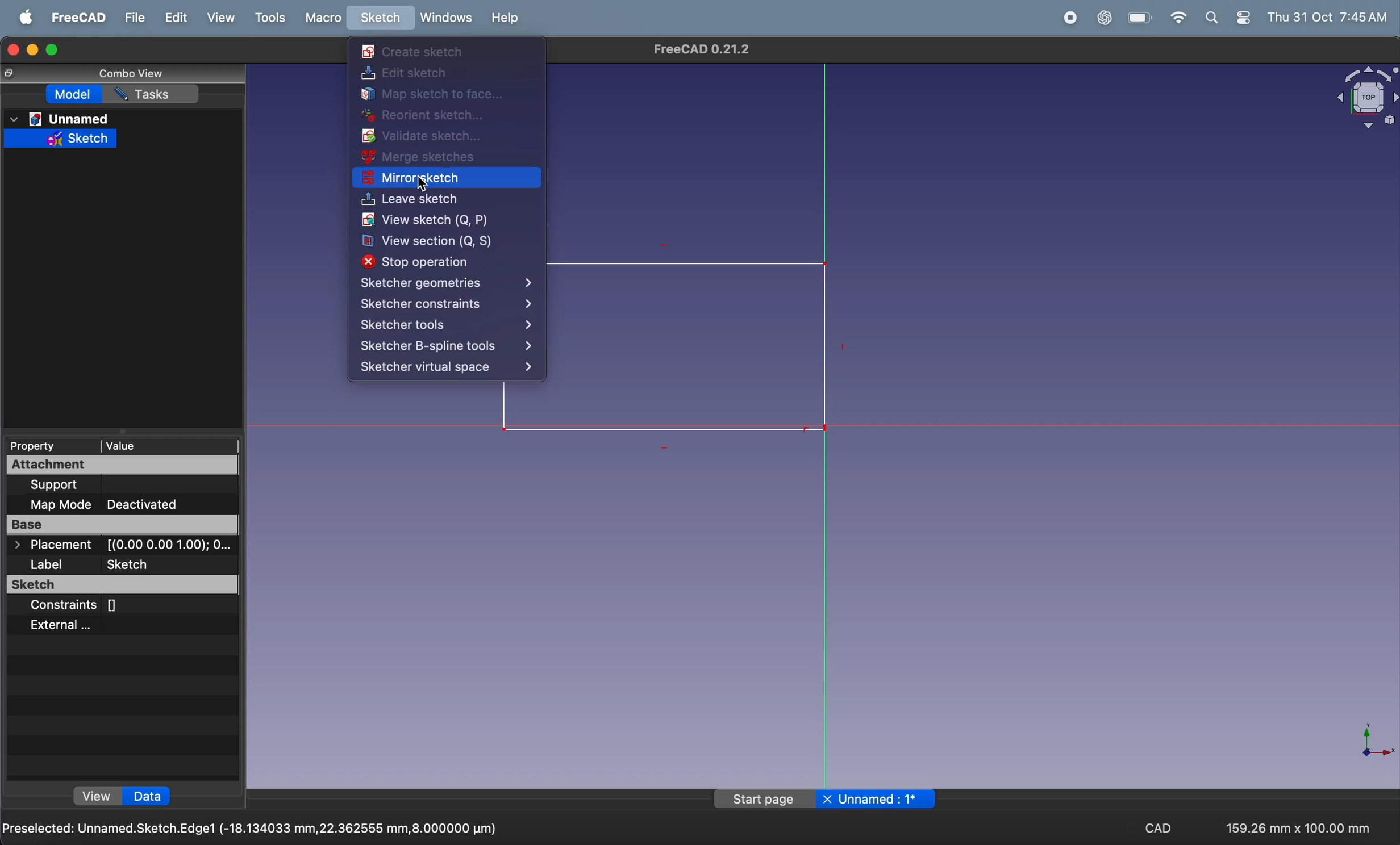 The width and height of the screenshot is (1400, 845). What do you see at coordinates (424, 180) in the screenshot?
I see `cursor` at bounding box center [424, 180].